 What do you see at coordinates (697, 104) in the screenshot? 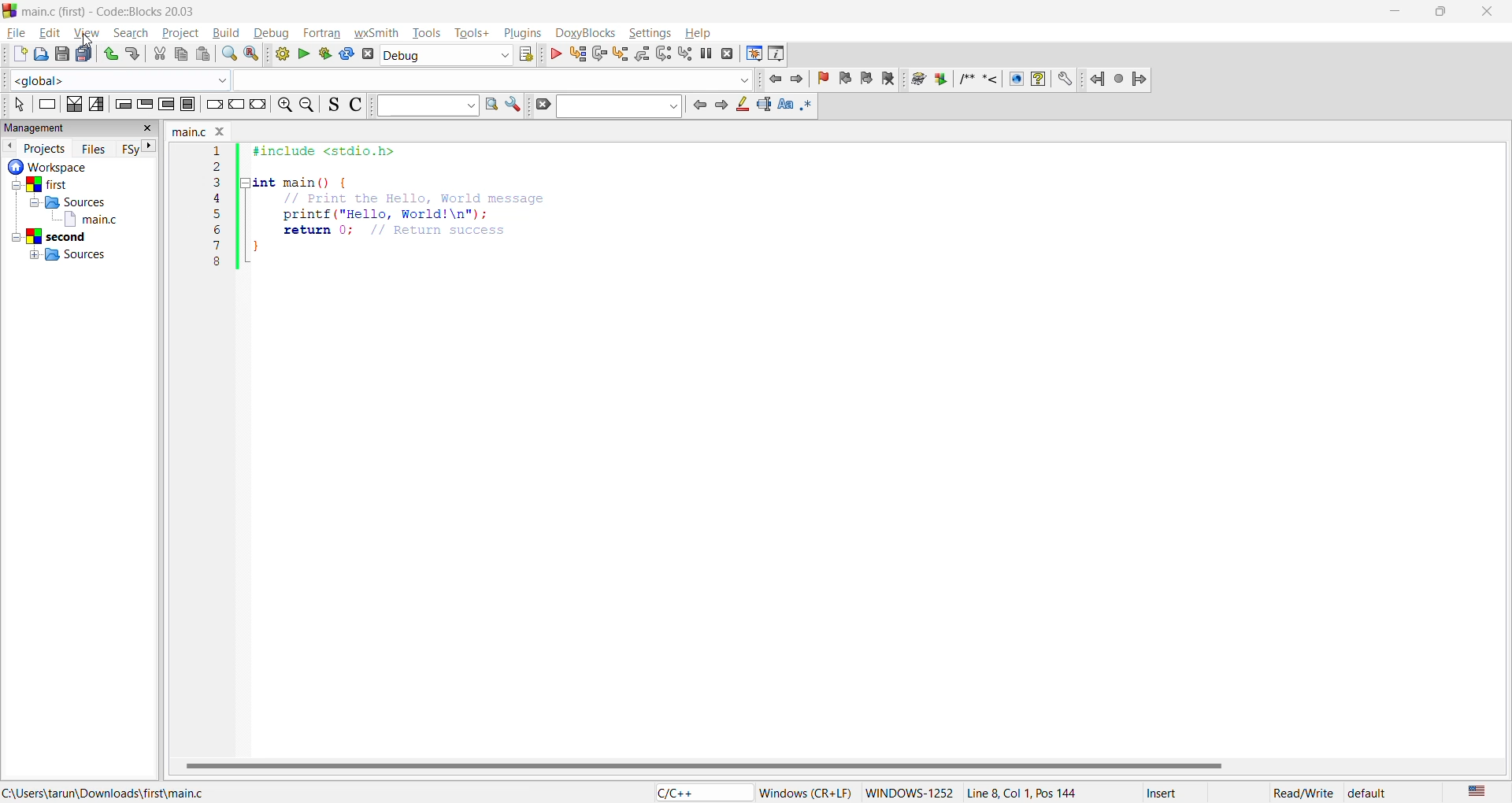
I see `previous` at bounding box center [697, 104].